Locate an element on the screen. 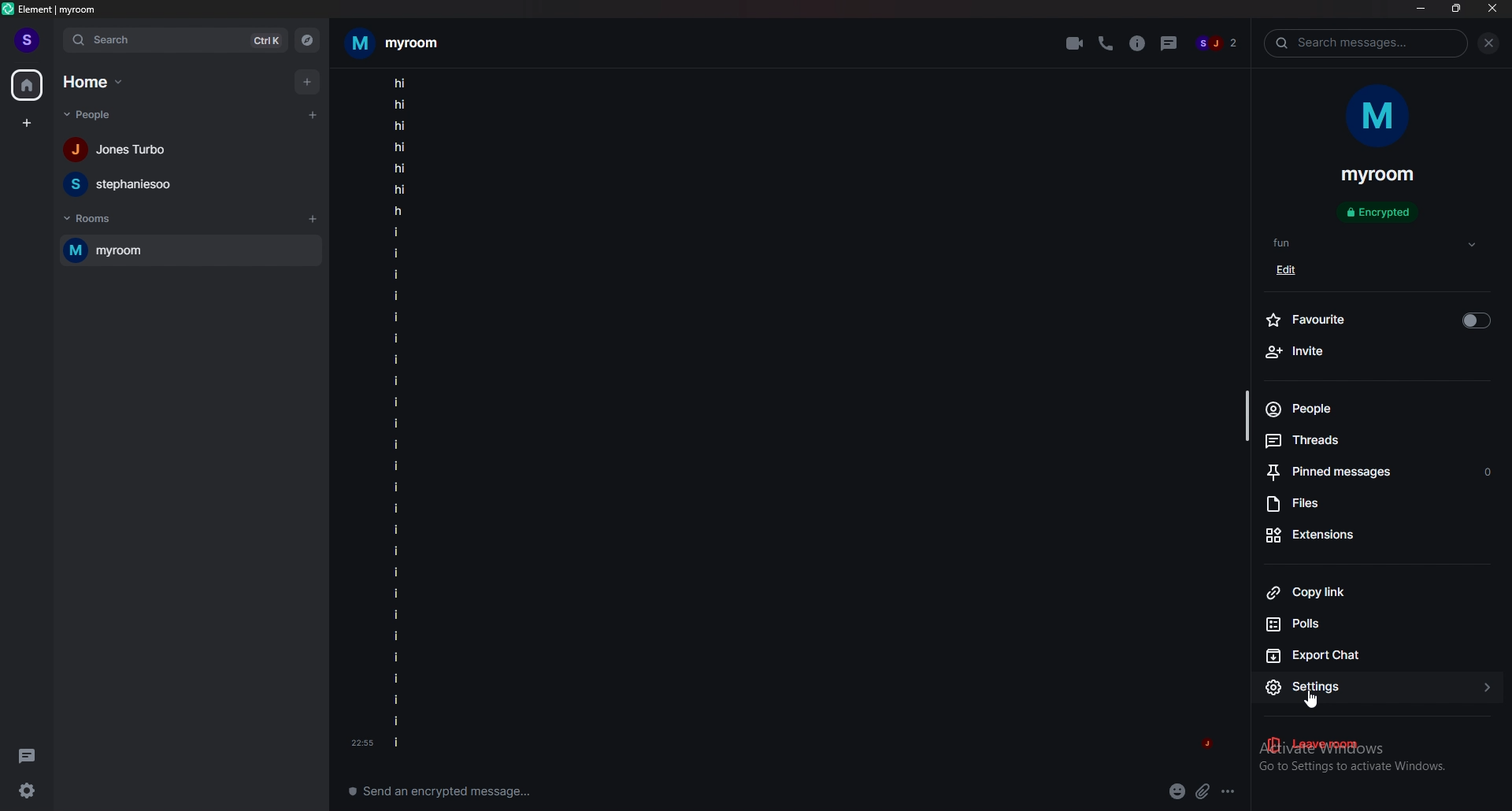  encrypted is located at coordinates (1381, 213).